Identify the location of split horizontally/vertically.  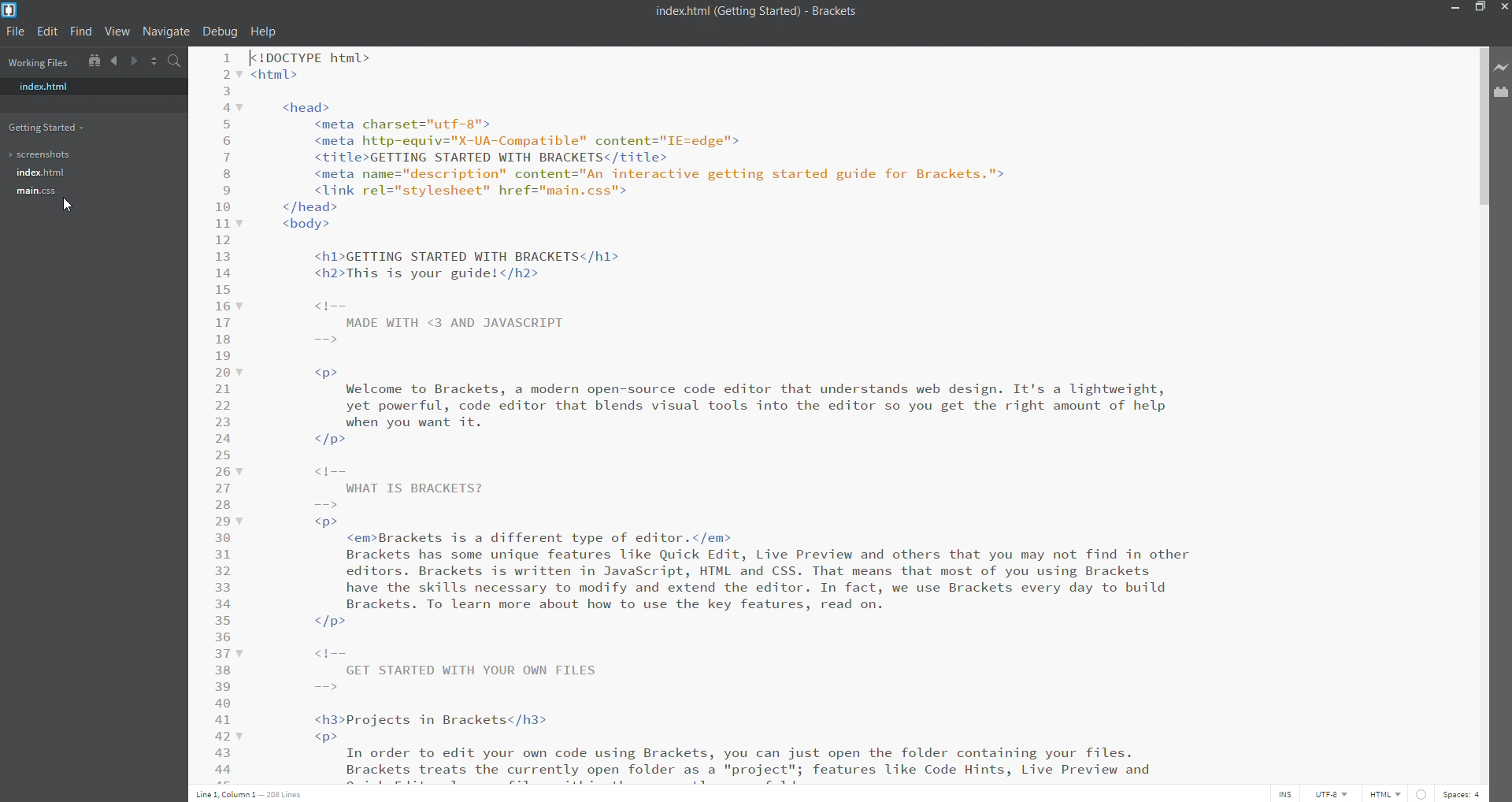
(154, 63).